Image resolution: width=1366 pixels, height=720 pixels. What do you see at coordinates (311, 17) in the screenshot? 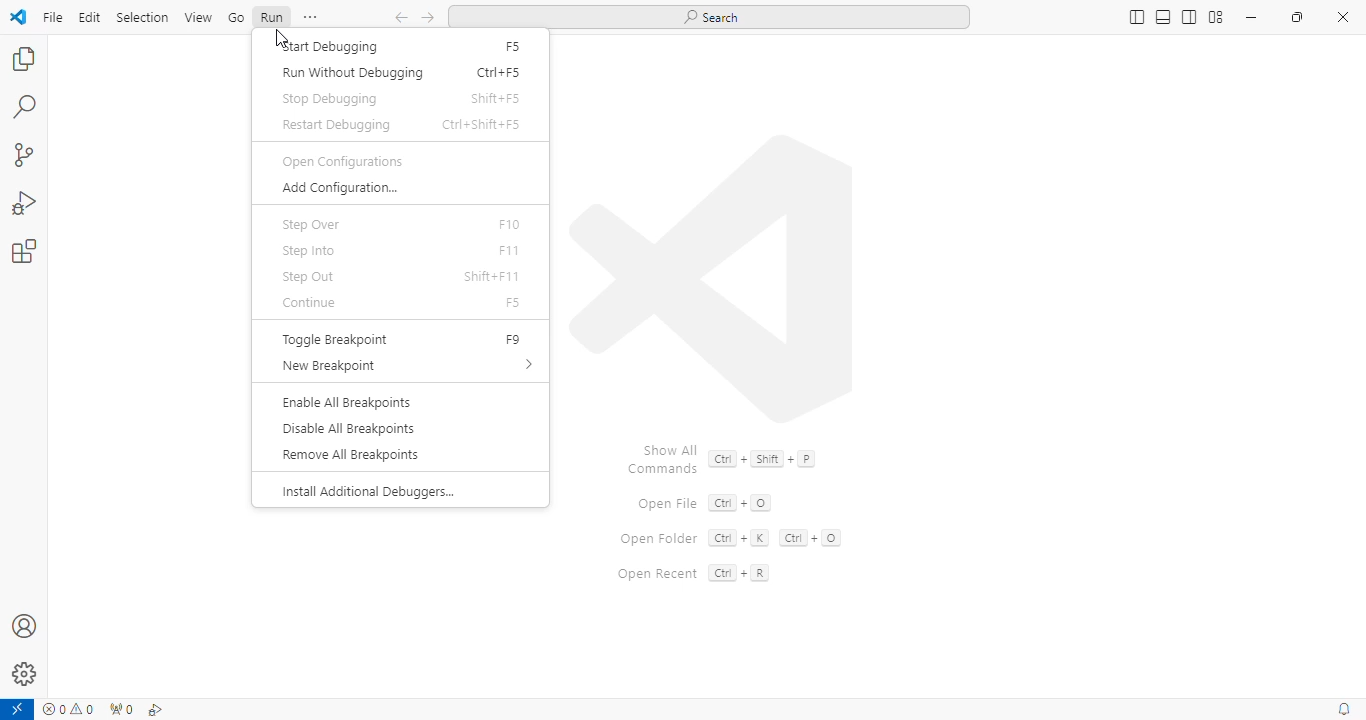
I see `terminal / help` at bounding box center [311, 17].